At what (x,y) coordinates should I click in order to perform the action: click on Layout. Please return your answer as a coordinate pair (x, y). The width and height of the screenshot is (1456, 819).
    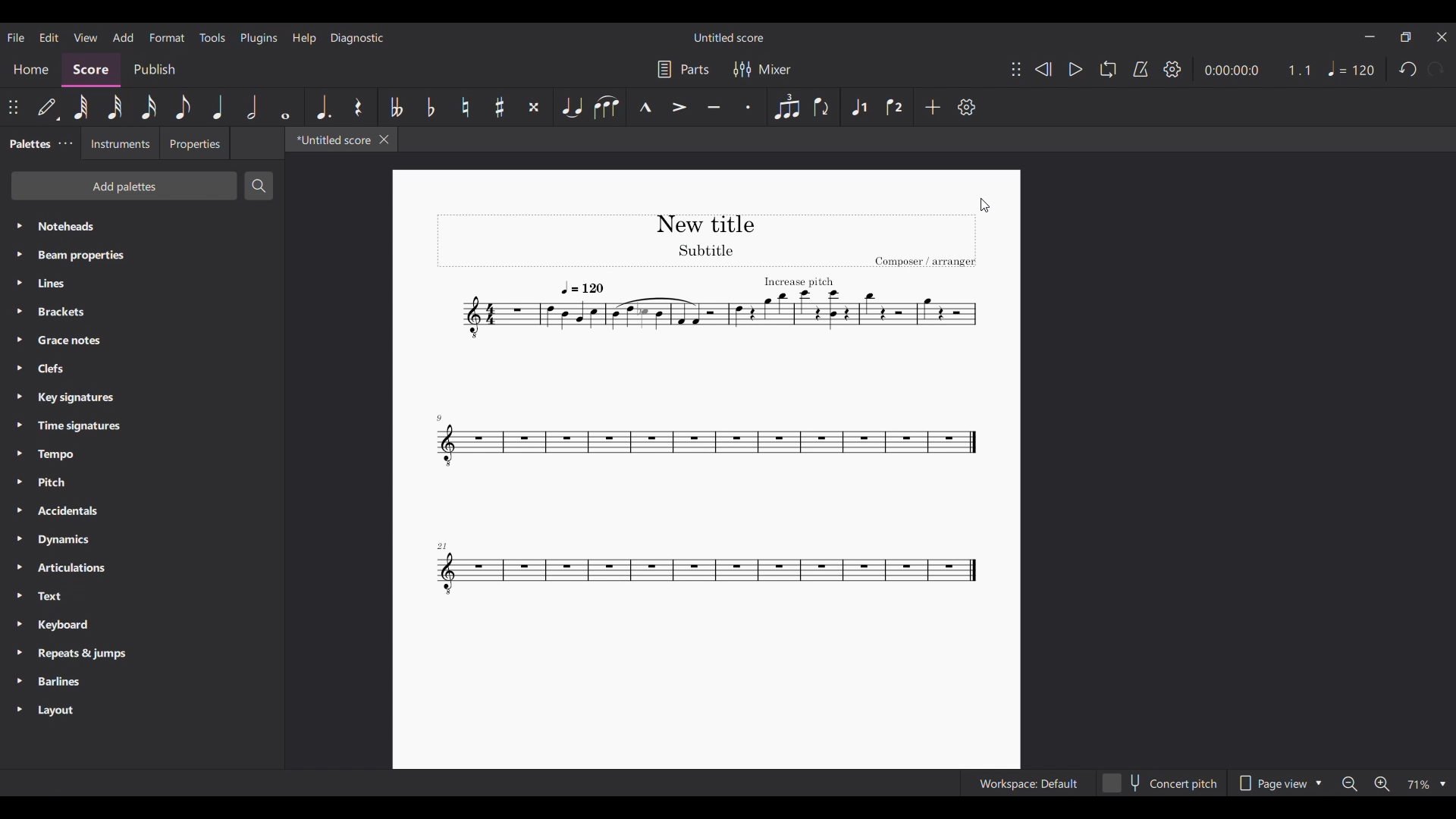
    Looking at the image, I should click on (143, 711).